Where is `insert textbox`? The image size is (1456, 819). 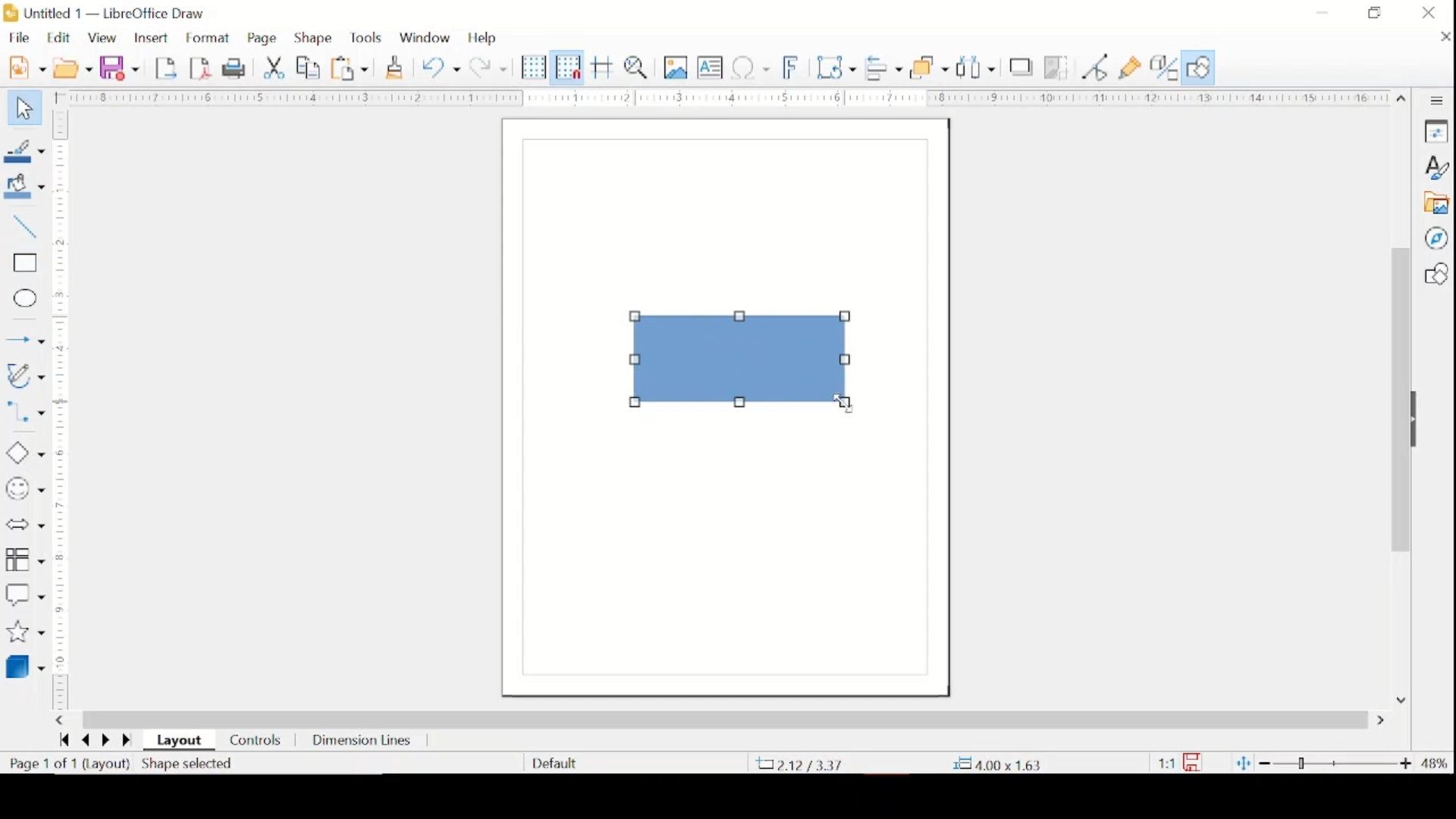
insert textbox is located at coordinates (710, 67).